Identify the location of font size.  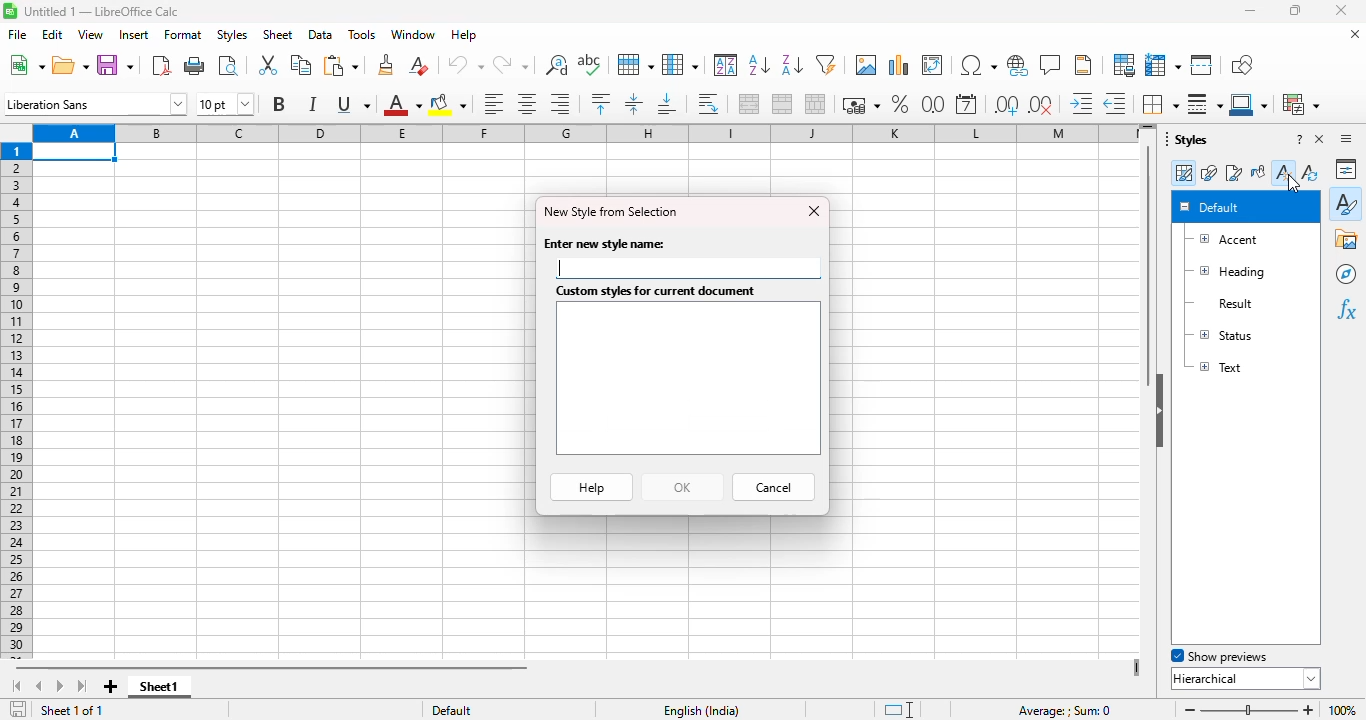
(225, 104).